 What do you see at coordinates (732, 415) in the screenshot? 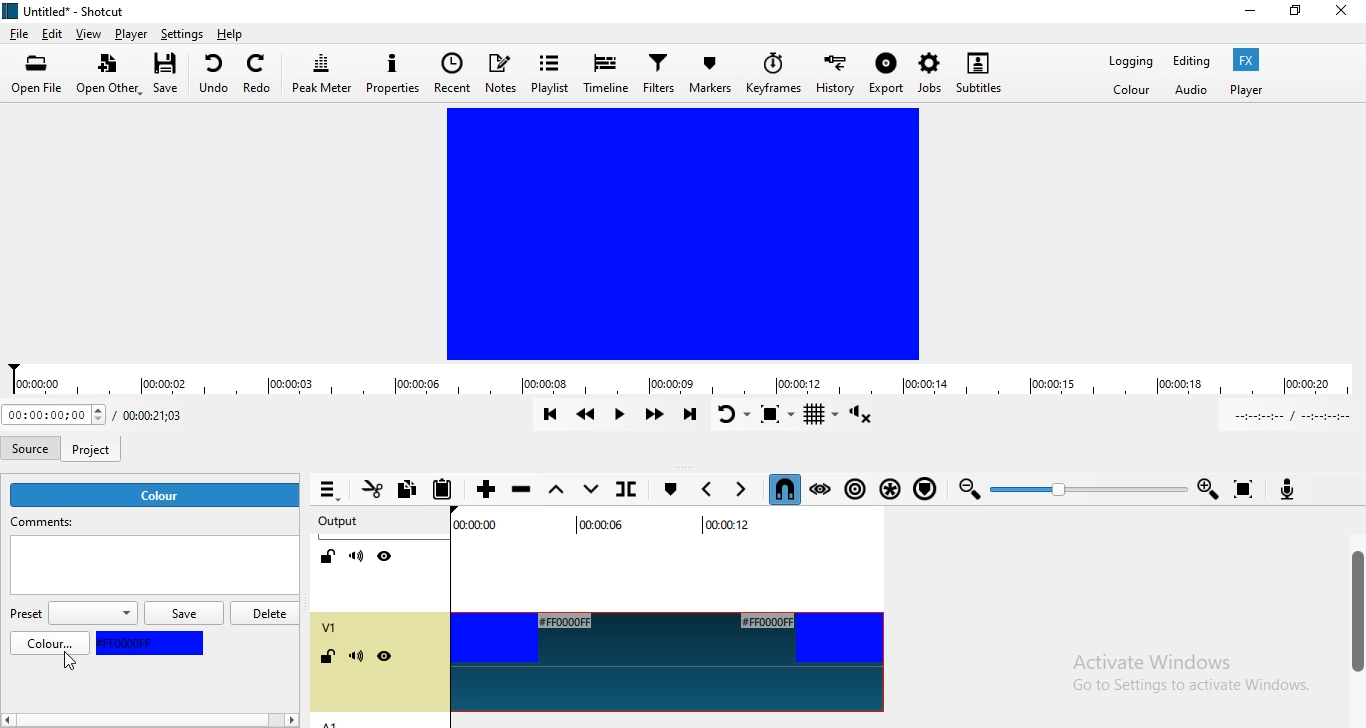
I see `Toggle player looping ` at bounding box center [732, 415].